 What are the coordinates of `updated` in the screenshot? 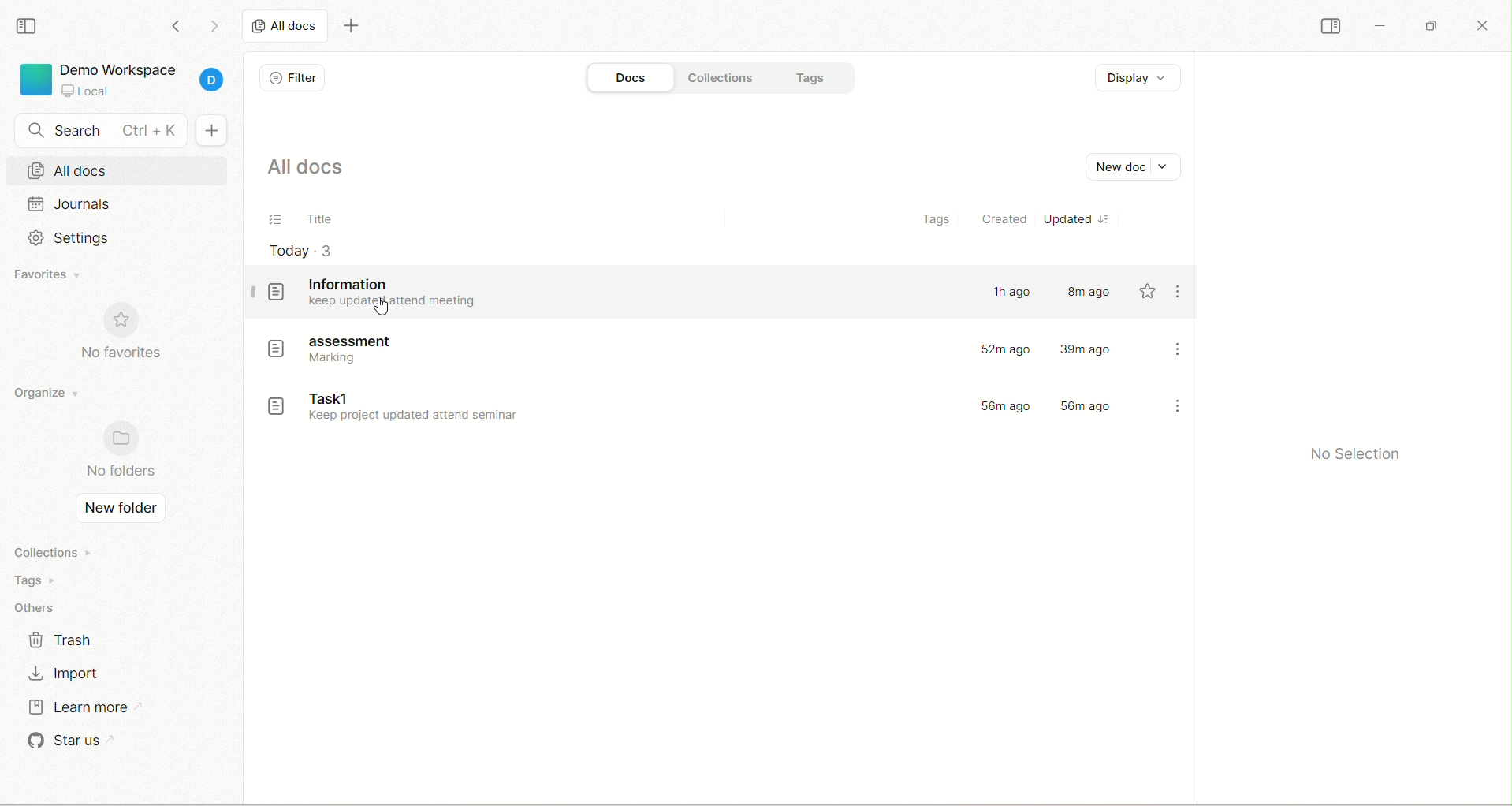 It's located at (1078, 218).